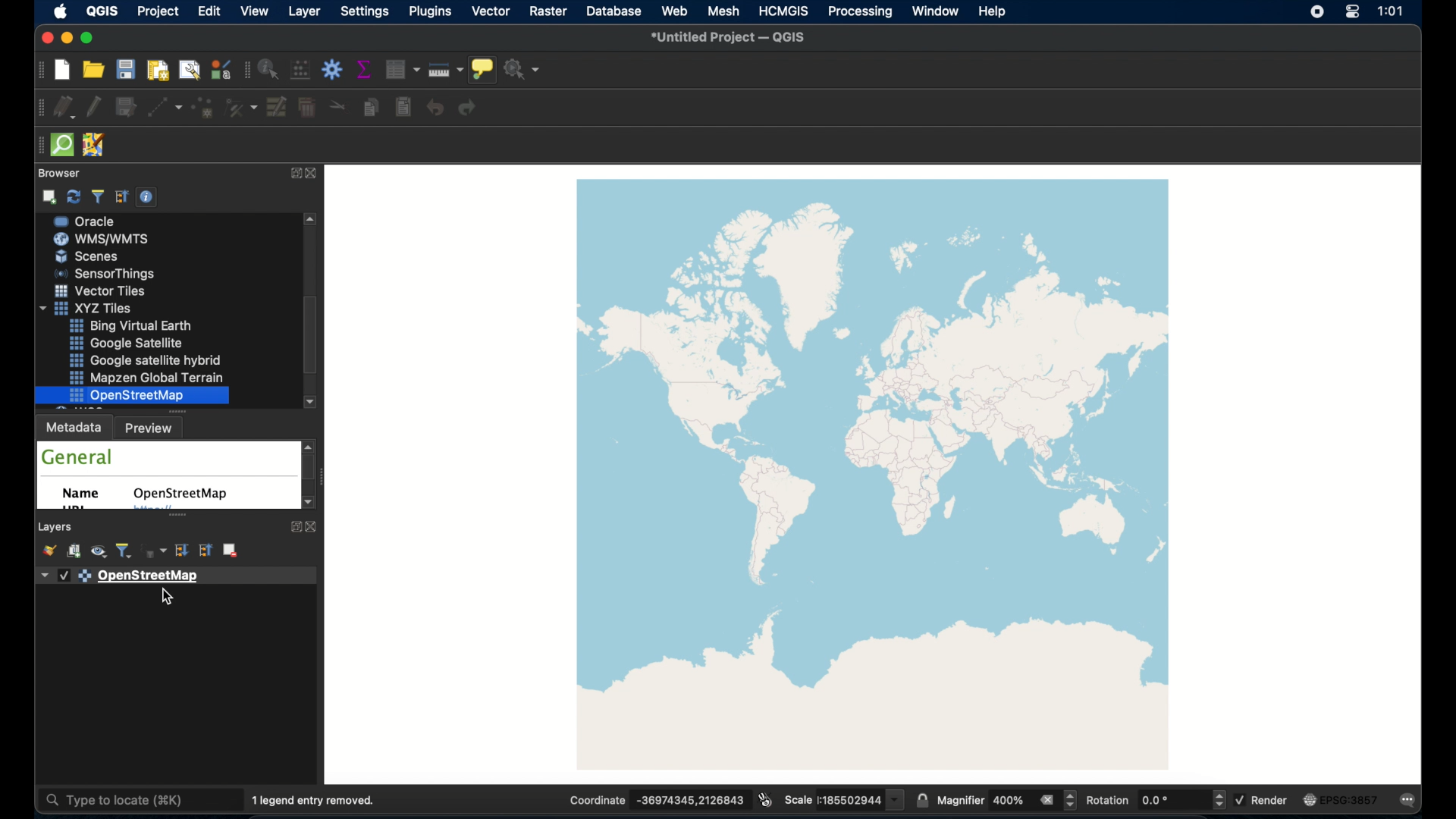 Image resolution: width=1456 pixels, height=819 pixels. I want to click on obscured text, so click(152, 510).